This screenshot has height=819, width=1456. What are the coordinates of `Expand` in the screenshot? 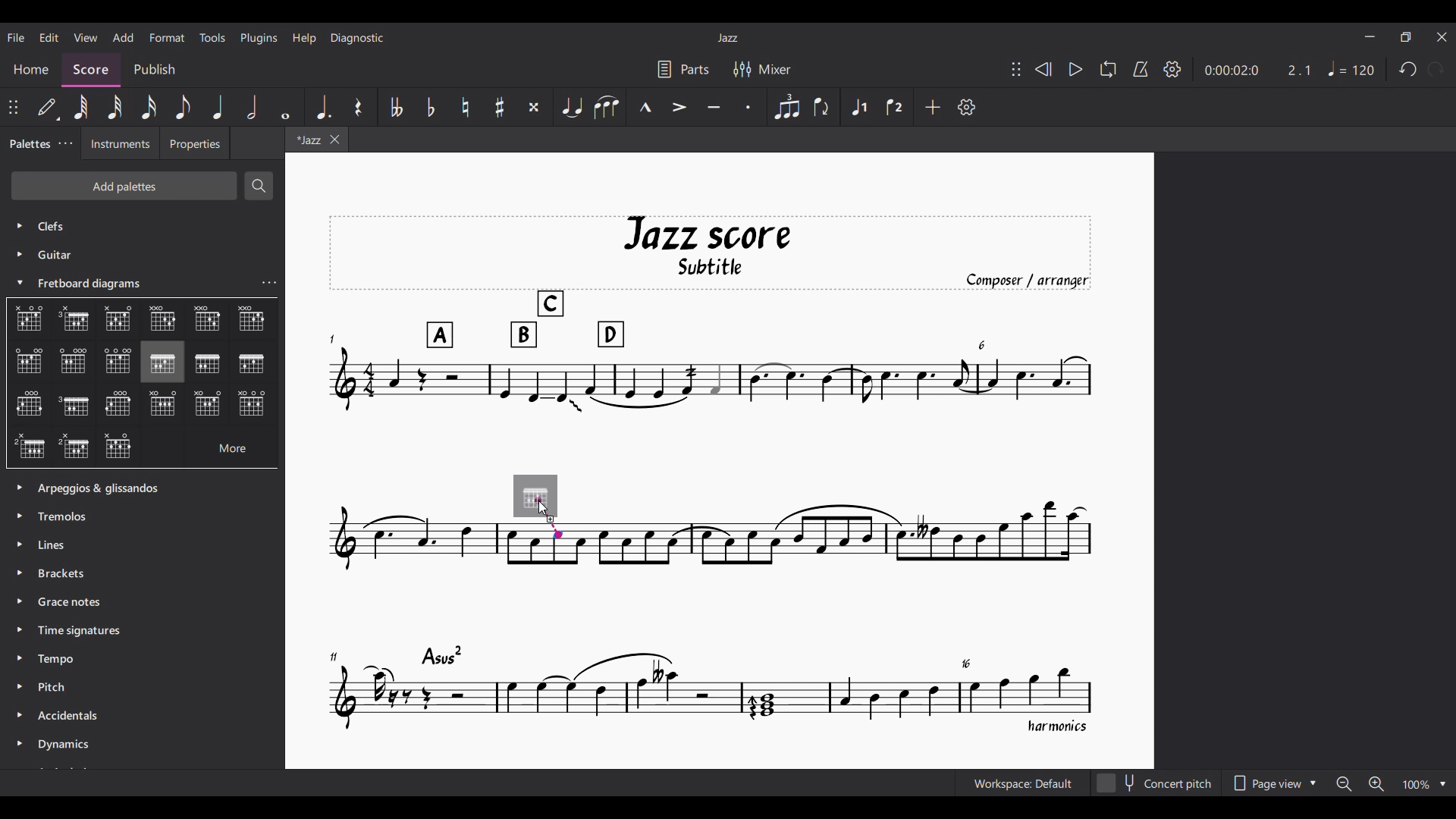 It's located at (22, 616).